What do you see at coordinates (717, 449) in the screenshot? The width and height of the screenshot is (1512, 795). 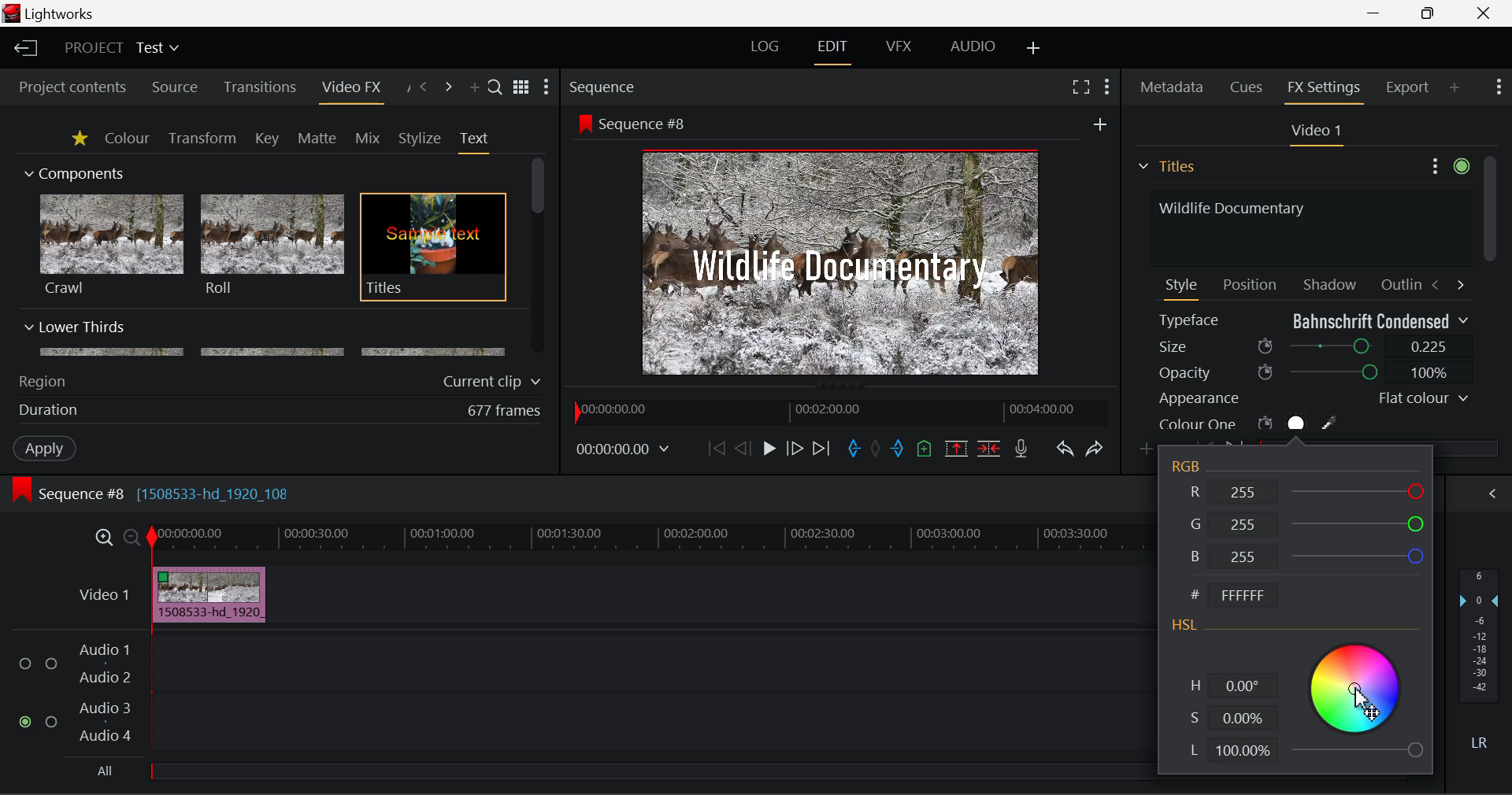 I see `To Start` at bounding box center [717, 449].